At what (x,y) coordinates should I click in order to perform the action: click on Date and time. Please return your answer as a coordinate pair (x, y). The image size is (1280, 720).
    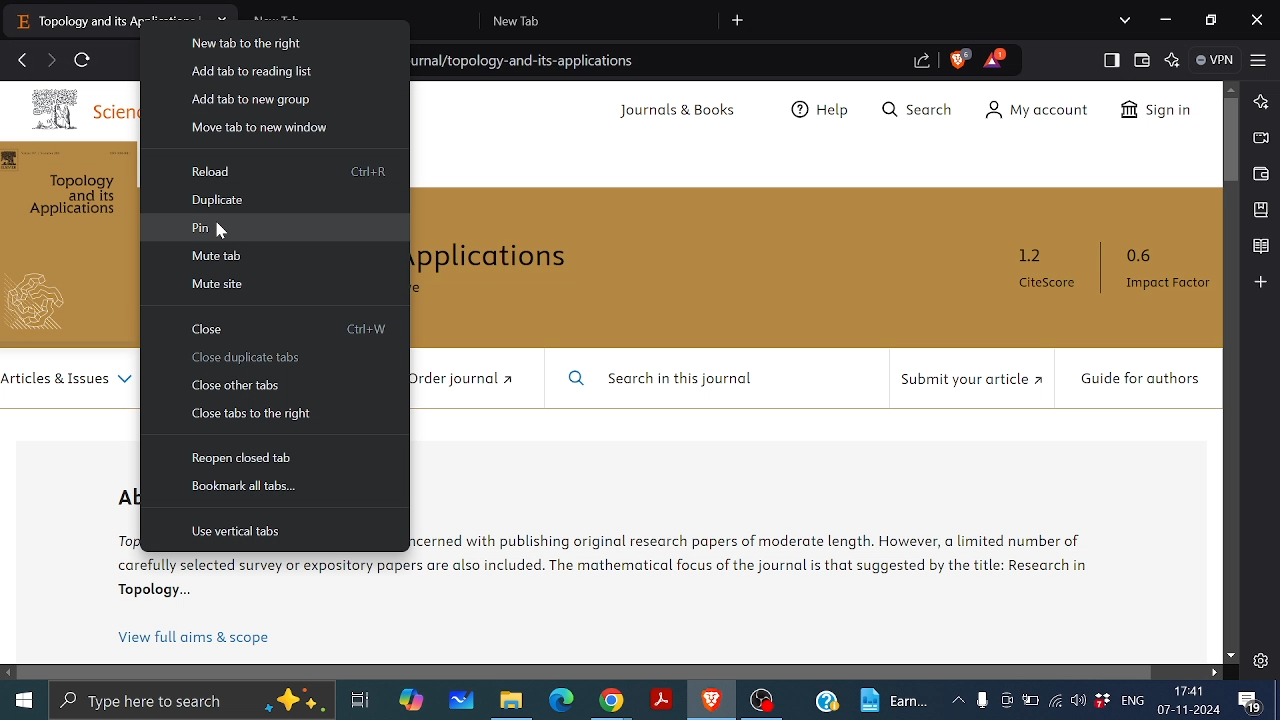
    Looking at the image, I should click on (1190, 700).